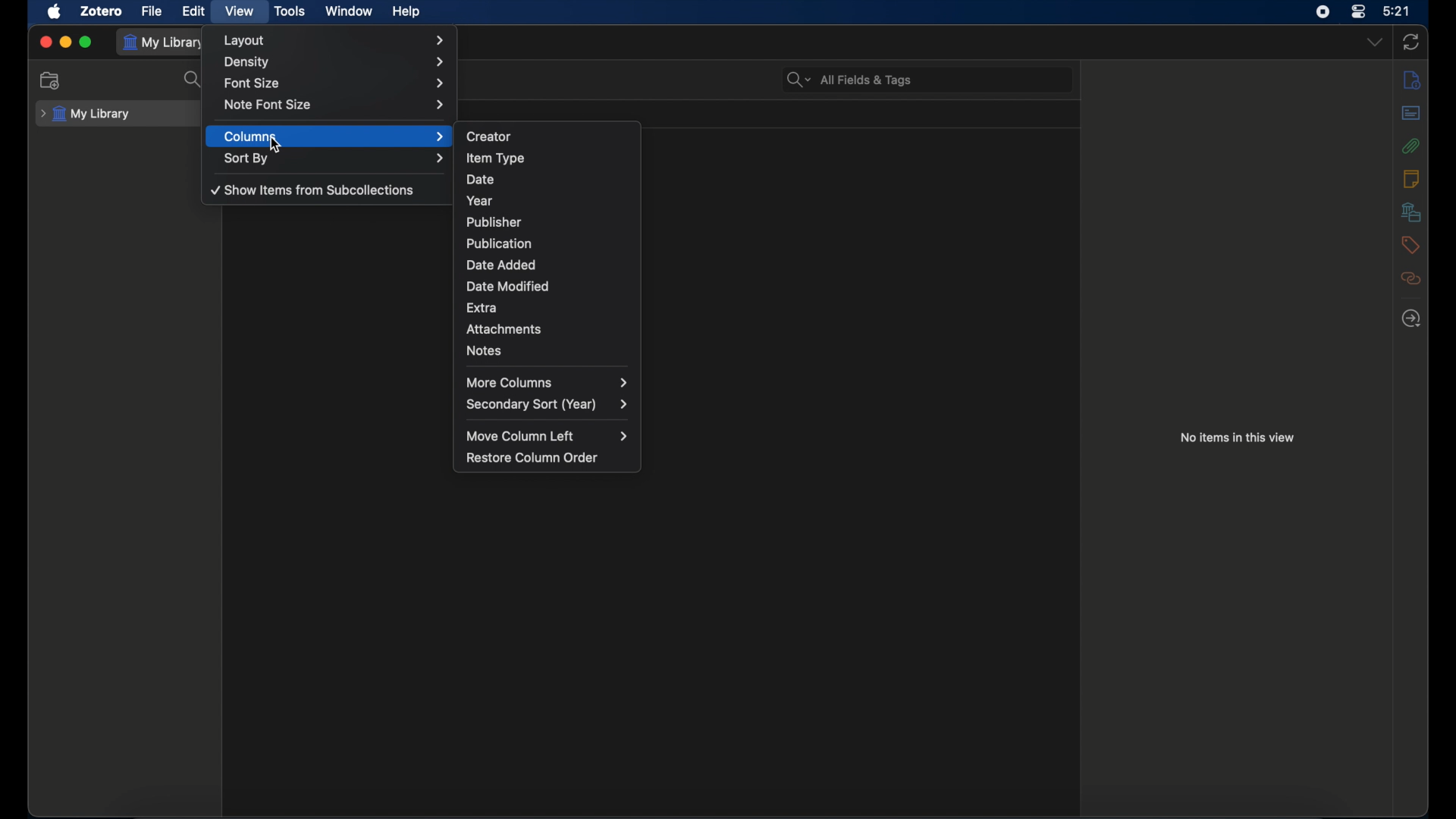 This screenshot has width=1456, height=819. Describe the element at coordinates (336, 136) in the screenshot. I see `columns` at that location.